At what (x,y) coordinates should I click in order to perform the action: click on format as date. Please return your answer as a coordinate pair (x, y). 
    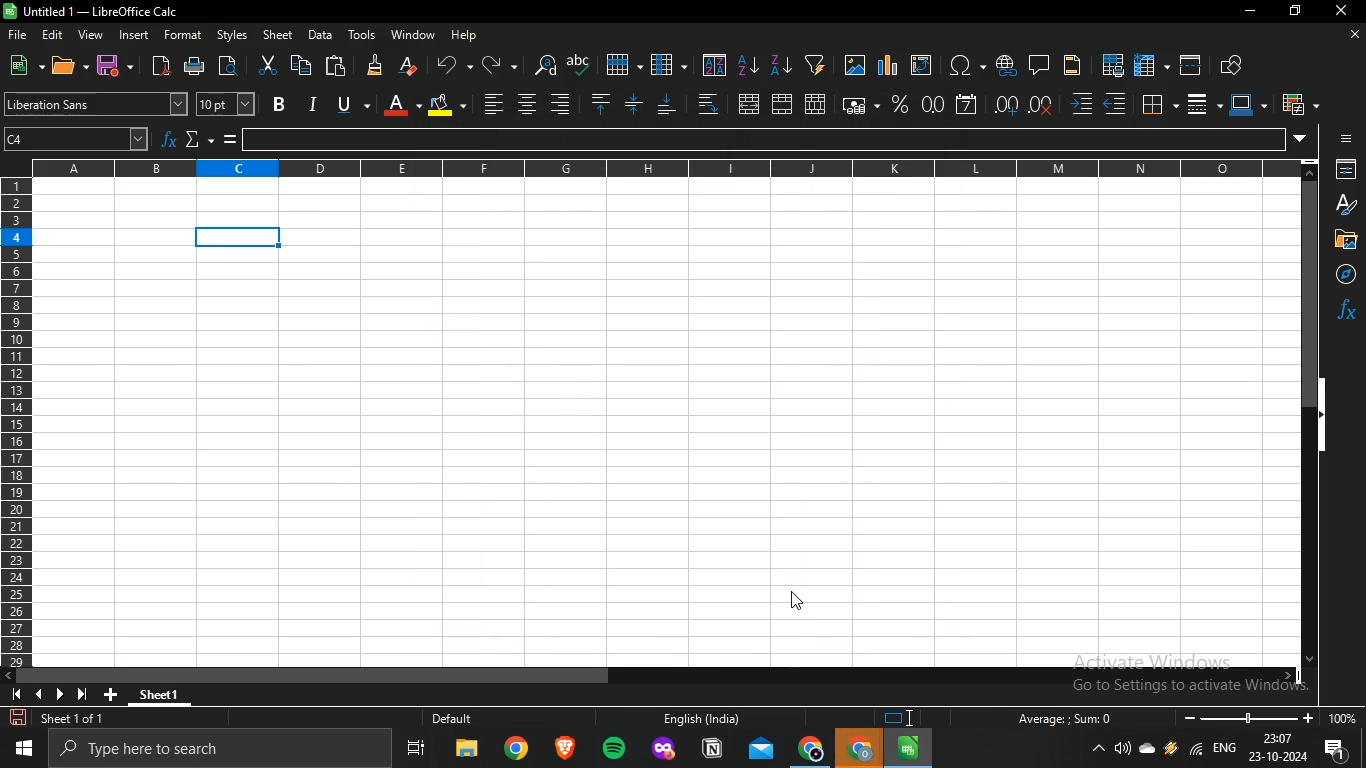
    Looking at the image, I should click on (967, 103).